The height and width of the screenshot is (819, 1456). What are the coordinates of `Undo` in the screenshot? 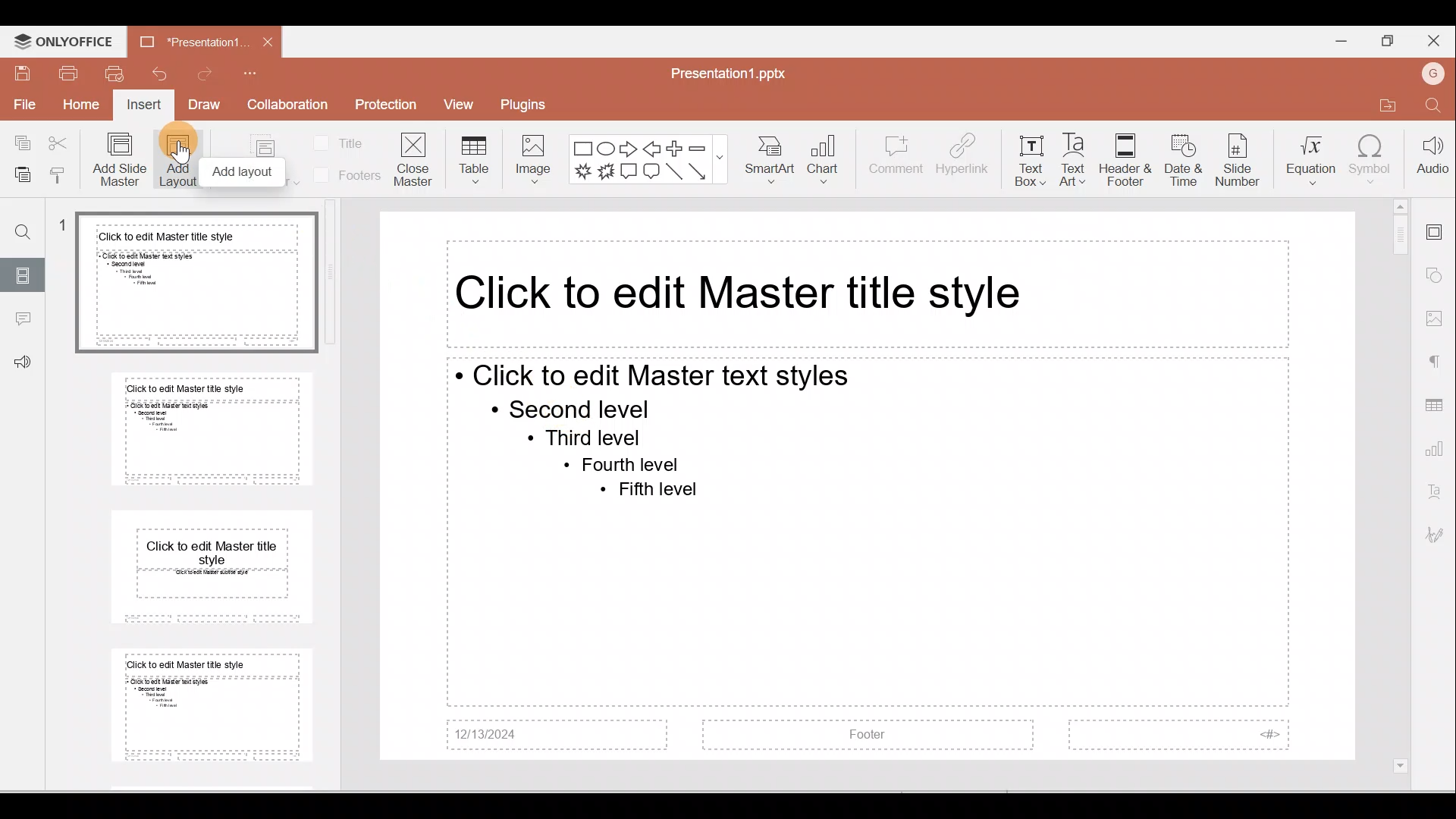 It's located at (158, 72).